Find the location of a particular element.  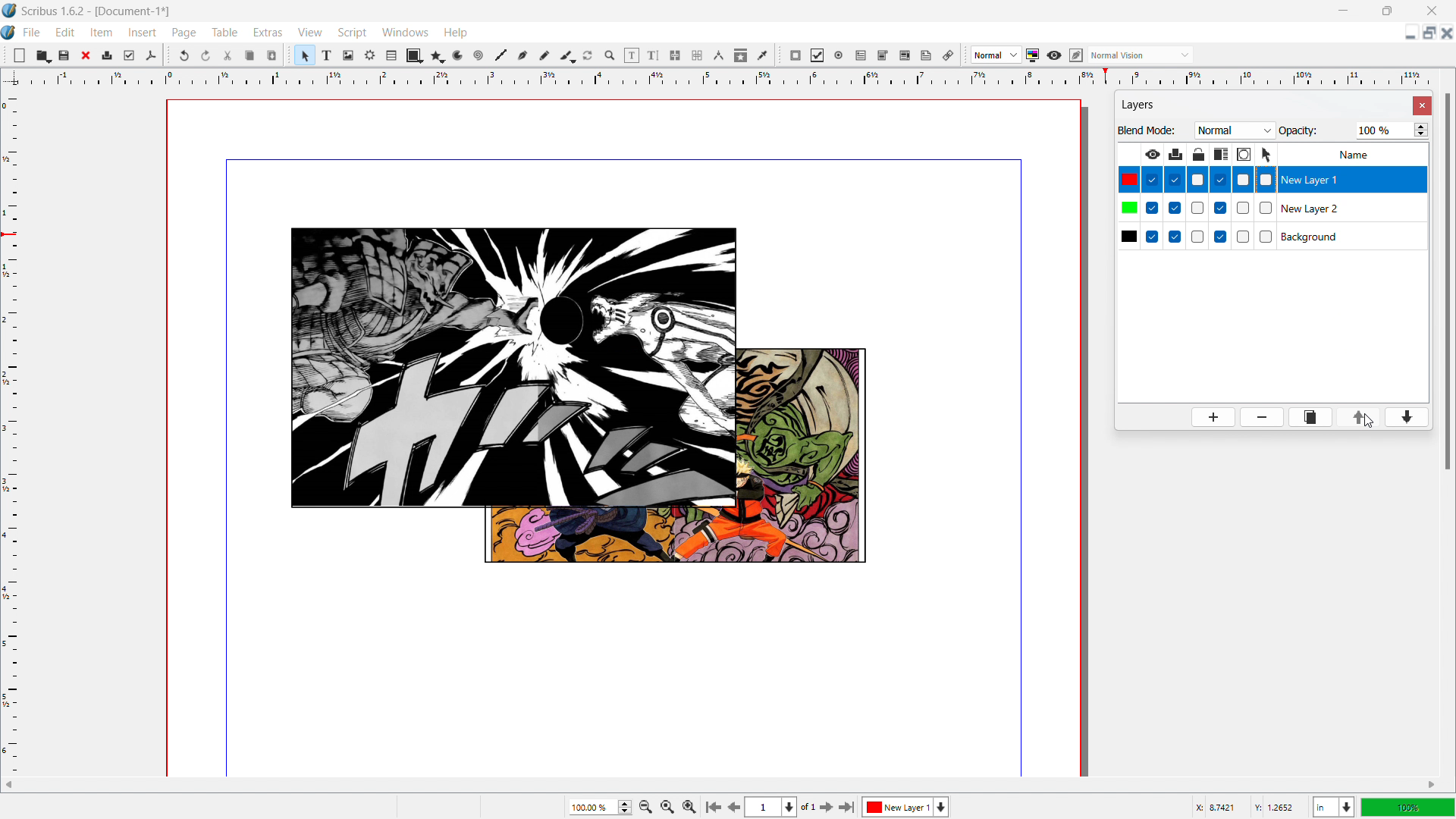

table is located at coordinates (224, 32).